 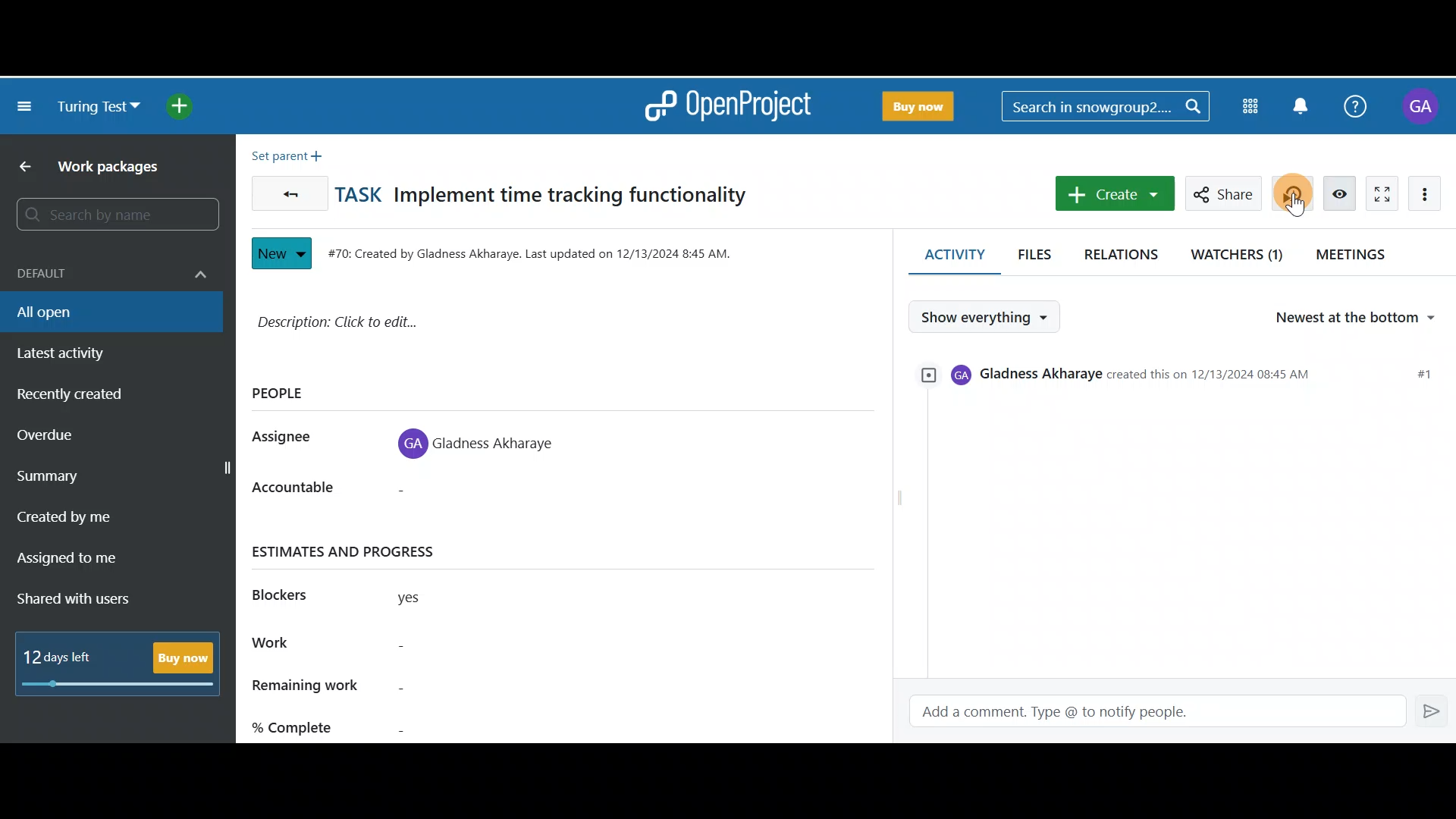 I want to click on ESTIMATES AND PROGRESS, so click(x=361, y=551).